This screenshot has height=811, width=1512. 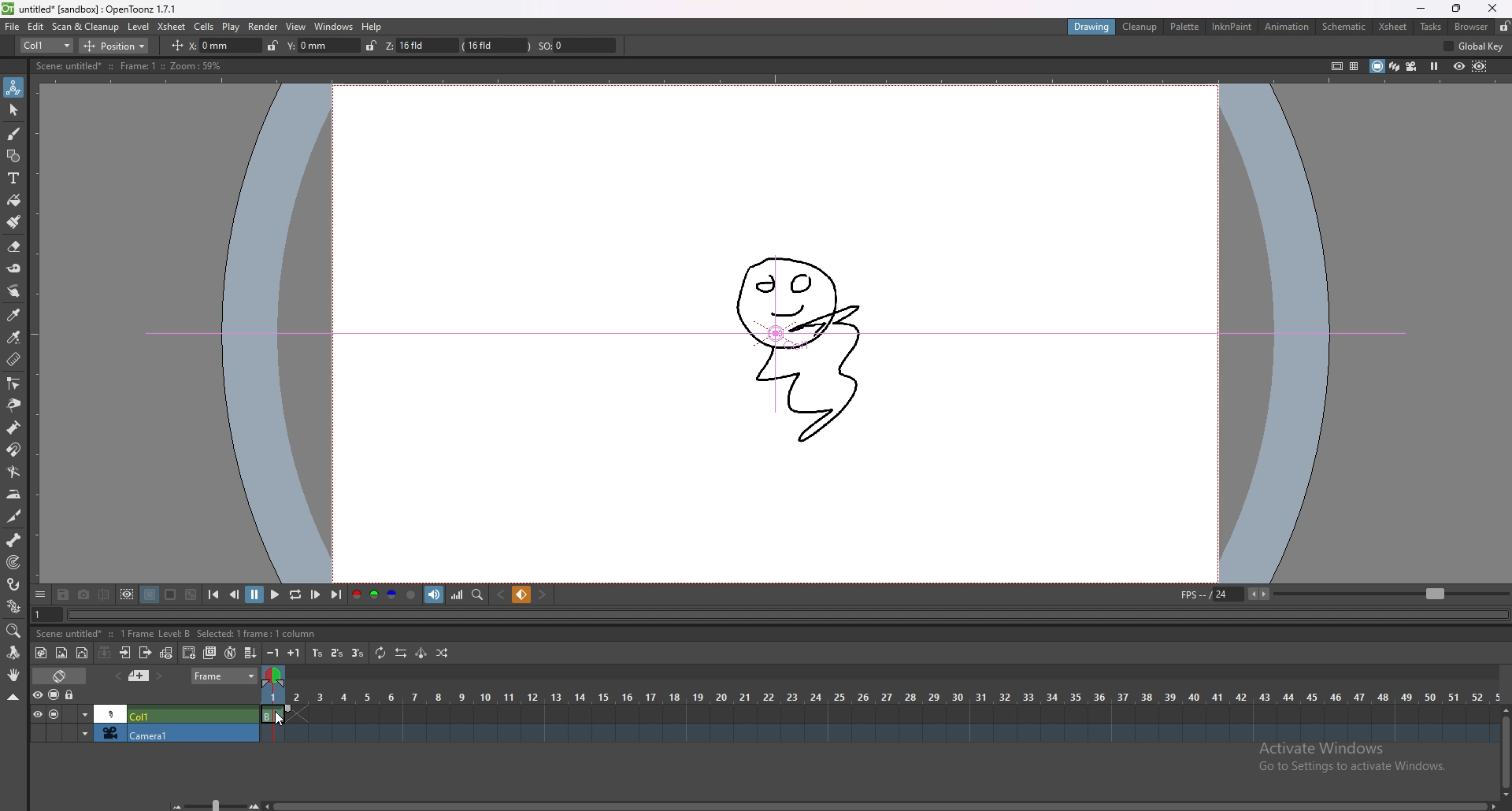 What do you see at coordinates (373, 27) in the screenshot?
I see `help` at bounding box center [373, 27].